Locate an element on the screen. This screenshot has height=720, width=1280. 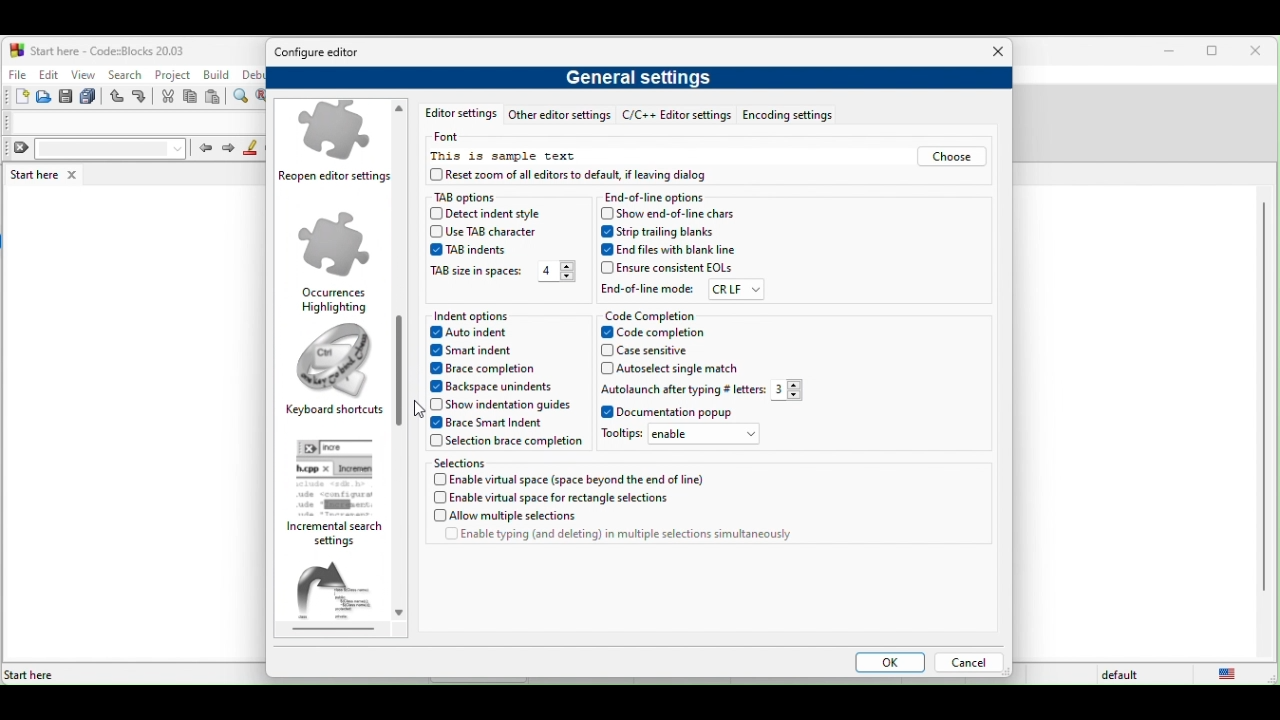
copy is located at coordinates (191, 98).